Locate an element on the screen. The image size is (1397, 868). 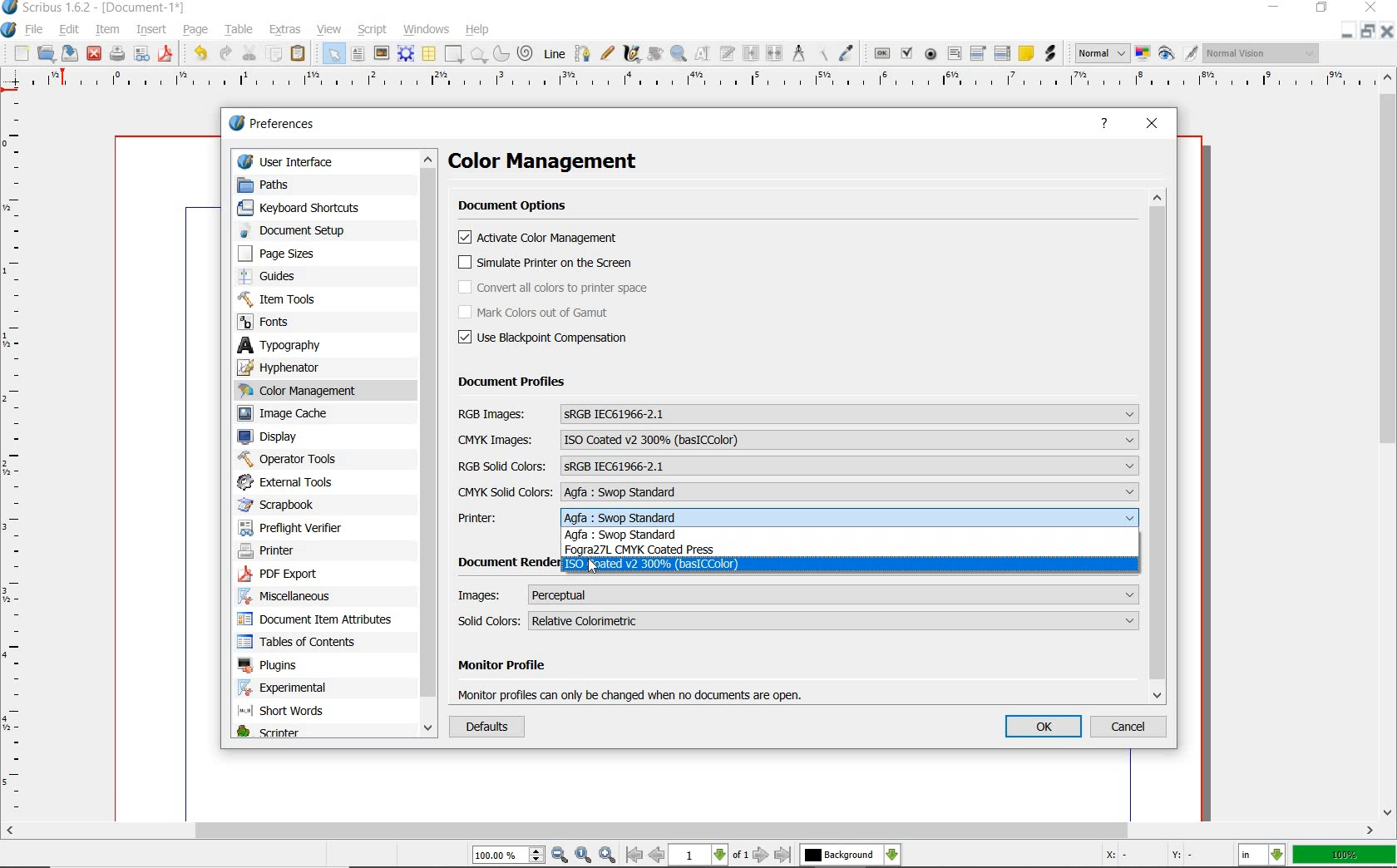
scrollbar is located at coordinates (689, 831).